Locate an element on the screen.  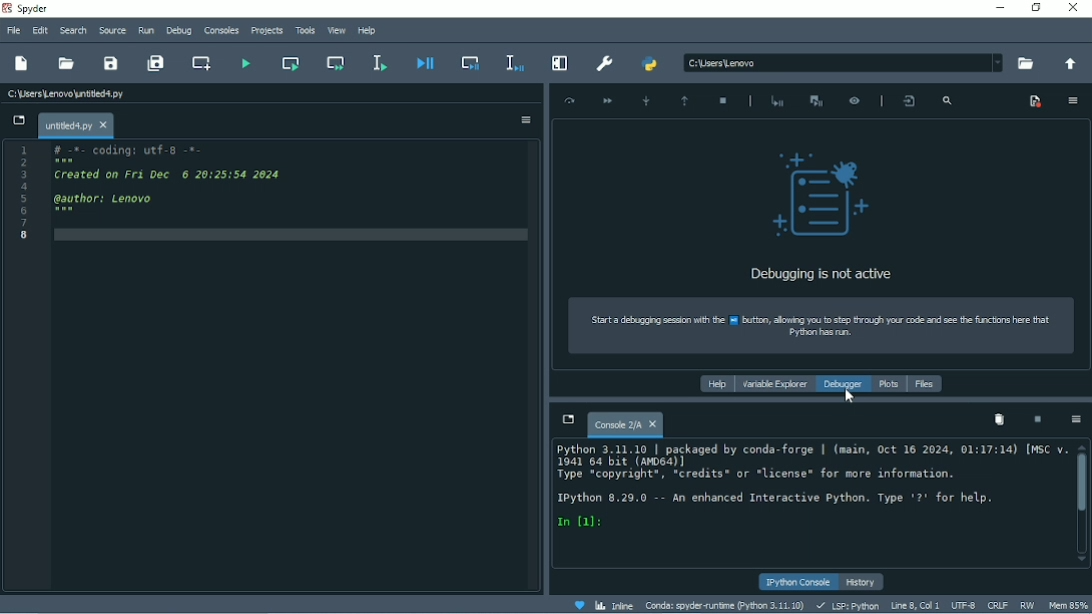
UTF-8 is located at coordinates (962, 605).